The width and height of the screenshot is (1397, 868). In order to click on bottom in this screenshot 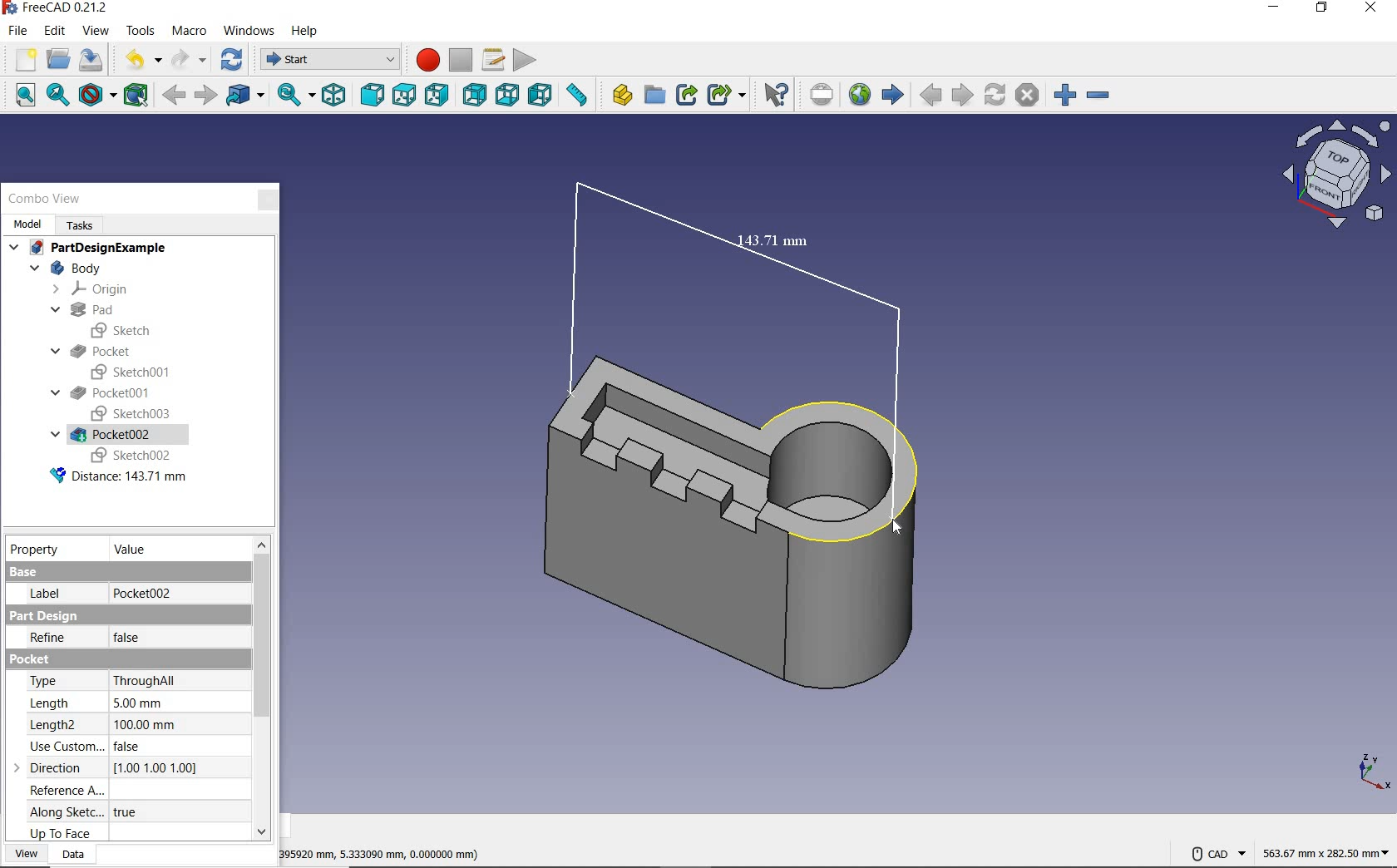, I will do `click(506, 97)`.